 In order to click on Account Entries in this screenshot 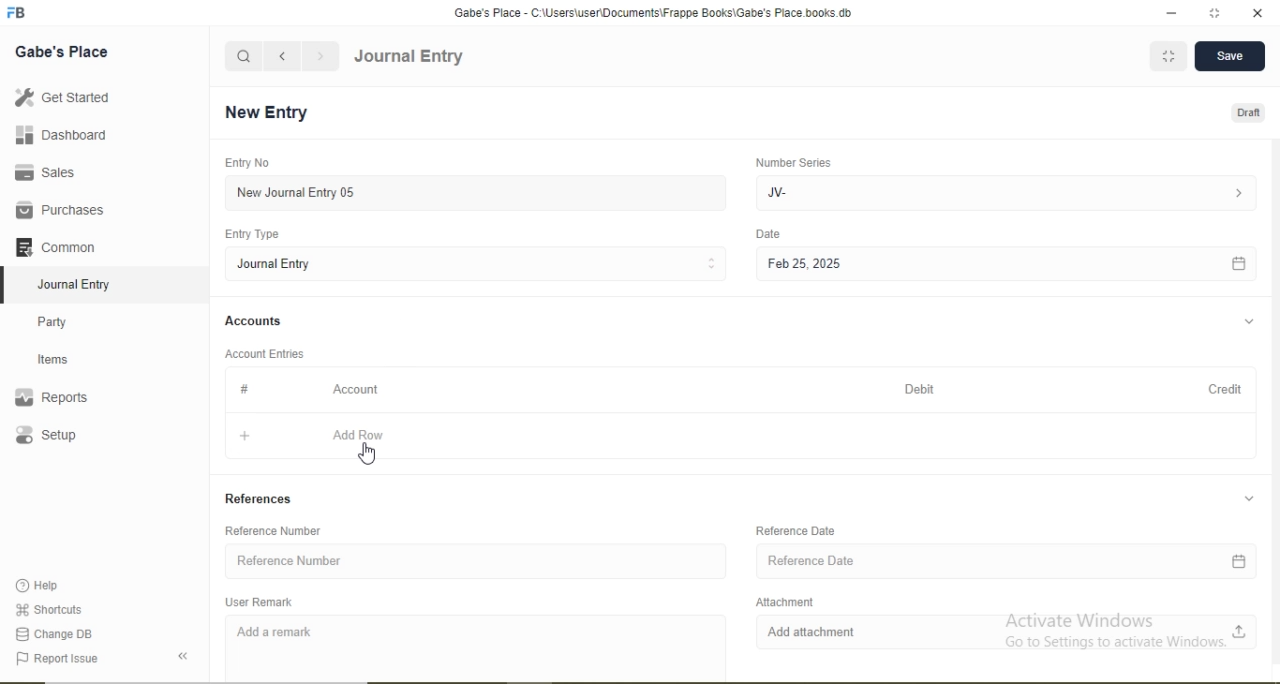, I will do `click(263, 352)`.